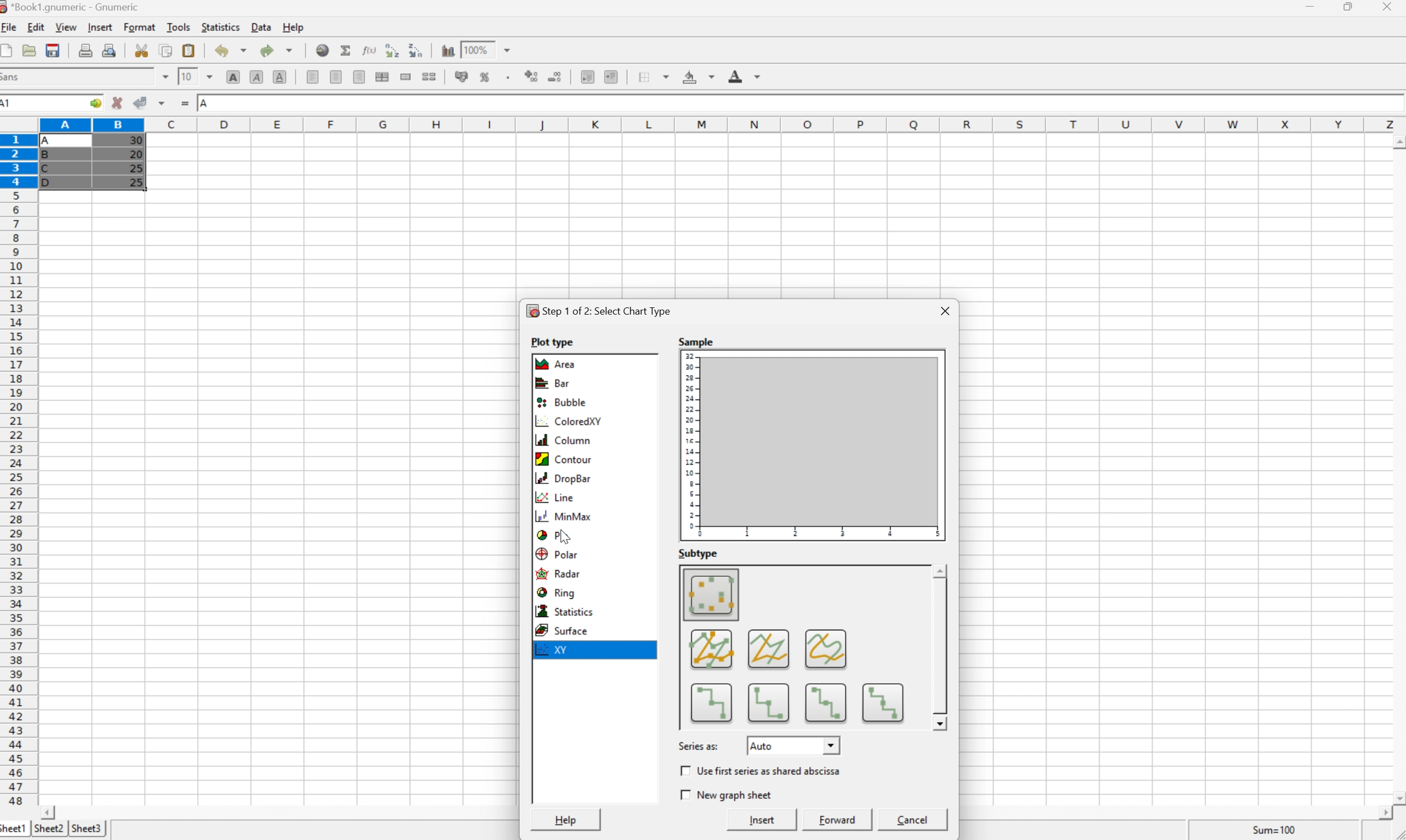  What do you see at coordinates (67, 27) in the screenshot?
I see `View` at bounding box center [67, 27].